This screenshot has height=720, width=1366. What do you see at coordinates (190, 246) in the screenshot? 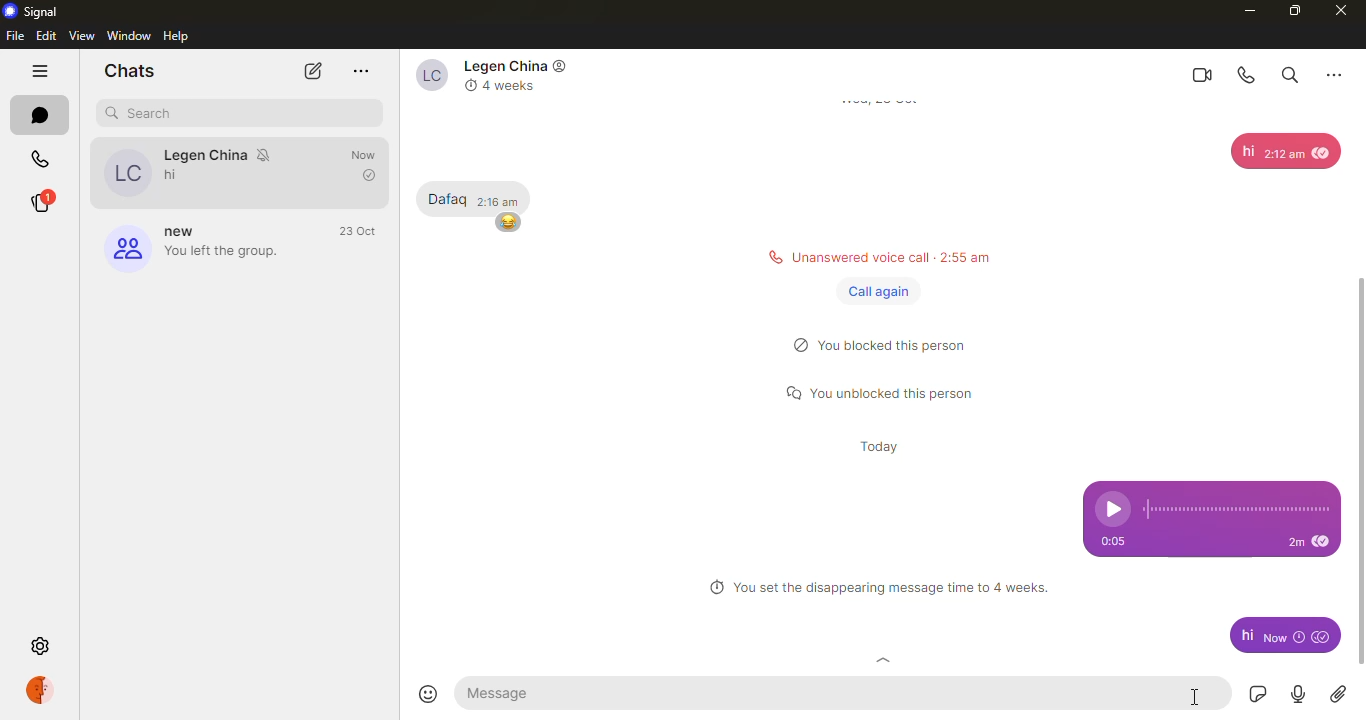
I see `new You left the group.` at bounding box center [190, 246].